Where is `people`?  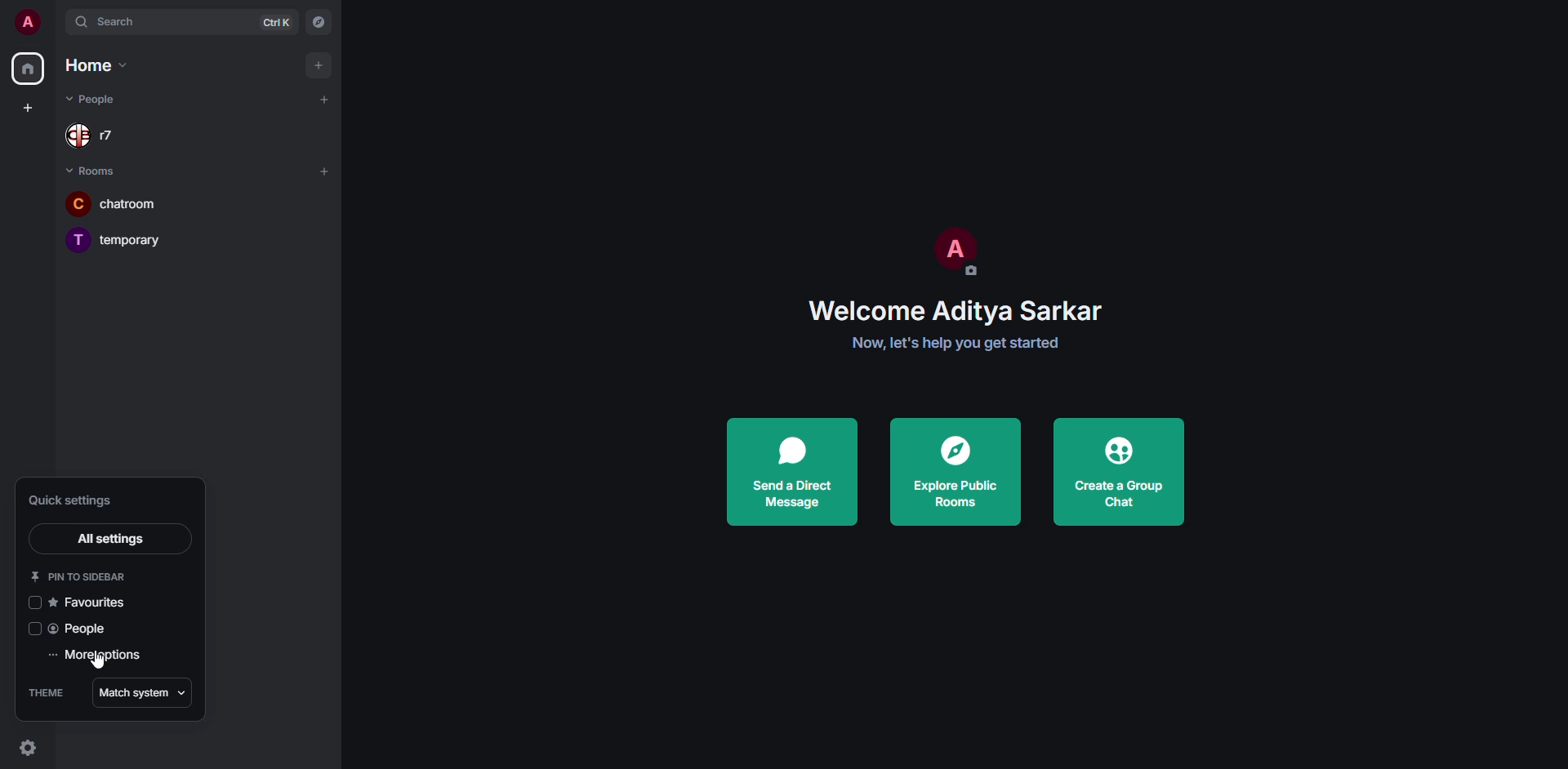 people is located at coordinates (105, 101).